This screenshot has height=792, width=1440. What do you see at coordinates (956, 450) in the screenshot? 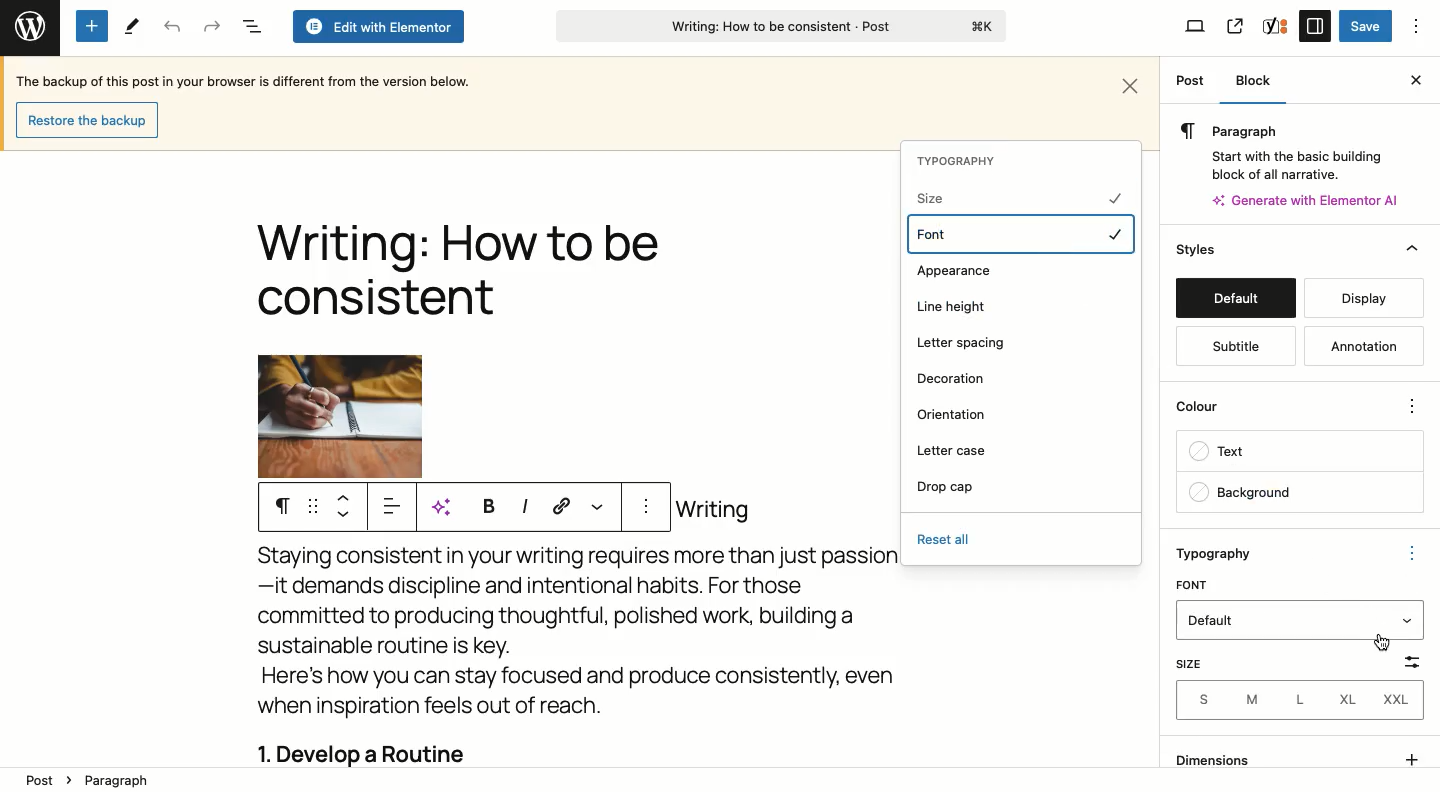
I see `Letter case` at bounding box center [956, 450].